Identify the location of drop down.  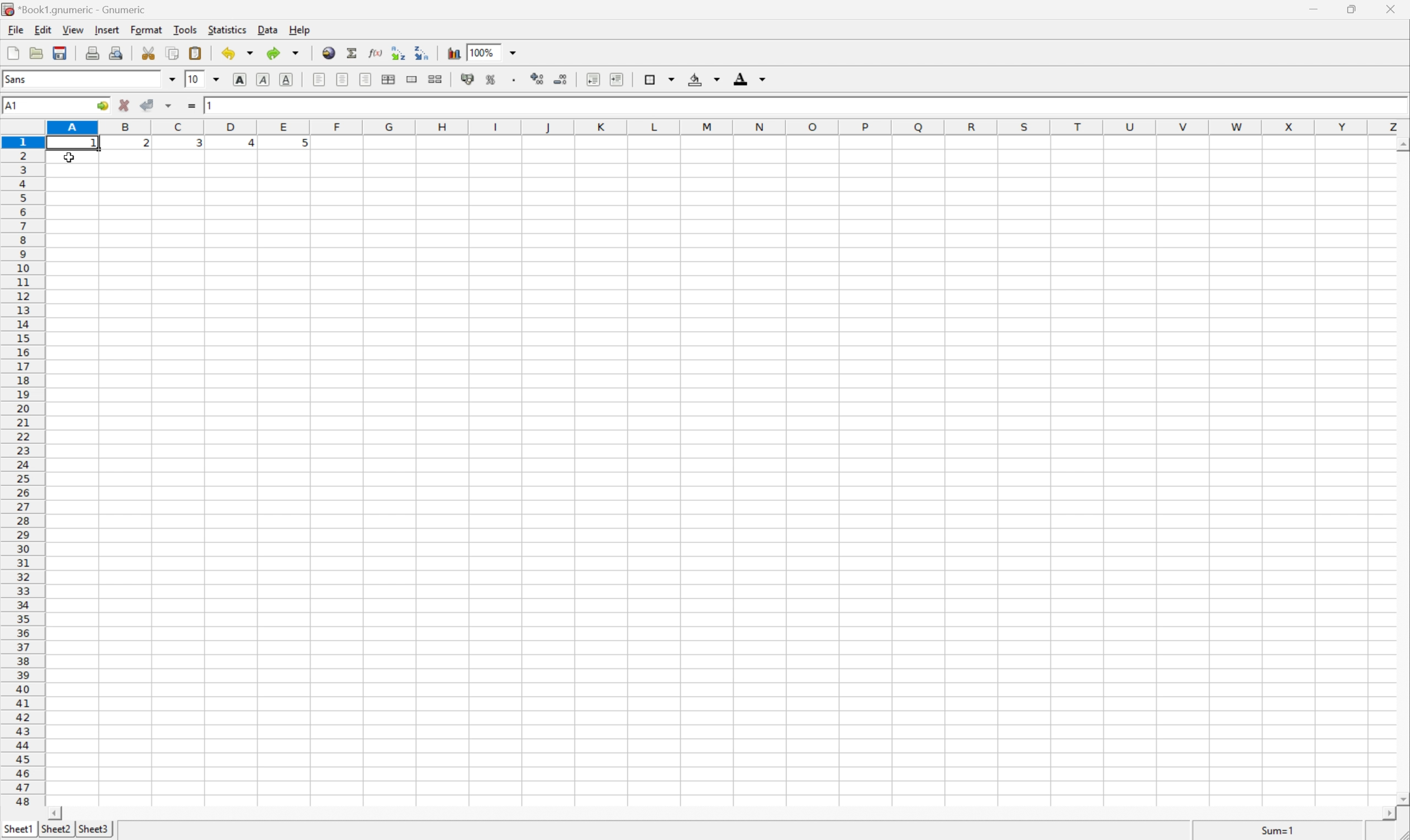
(216, 79).